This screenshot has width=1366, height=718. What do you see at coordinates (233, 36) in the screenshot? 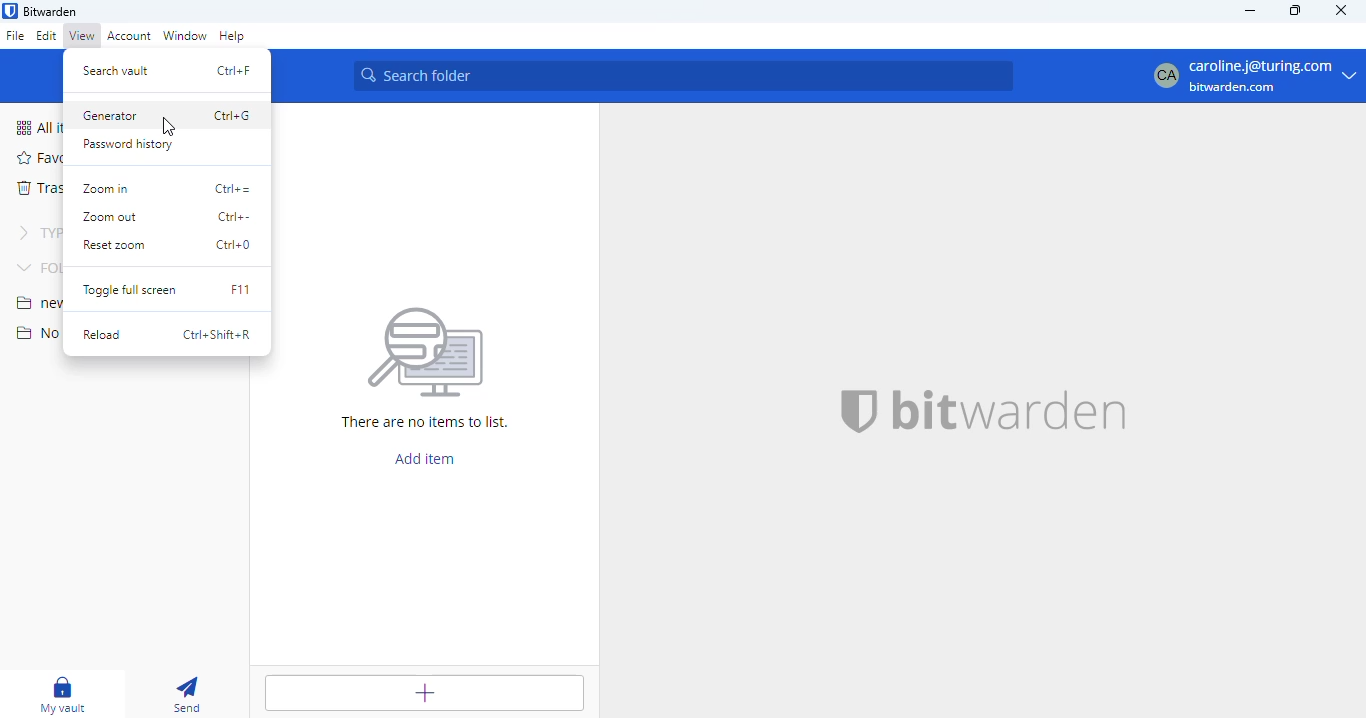
I see `help` at bounding box center [233, 36].